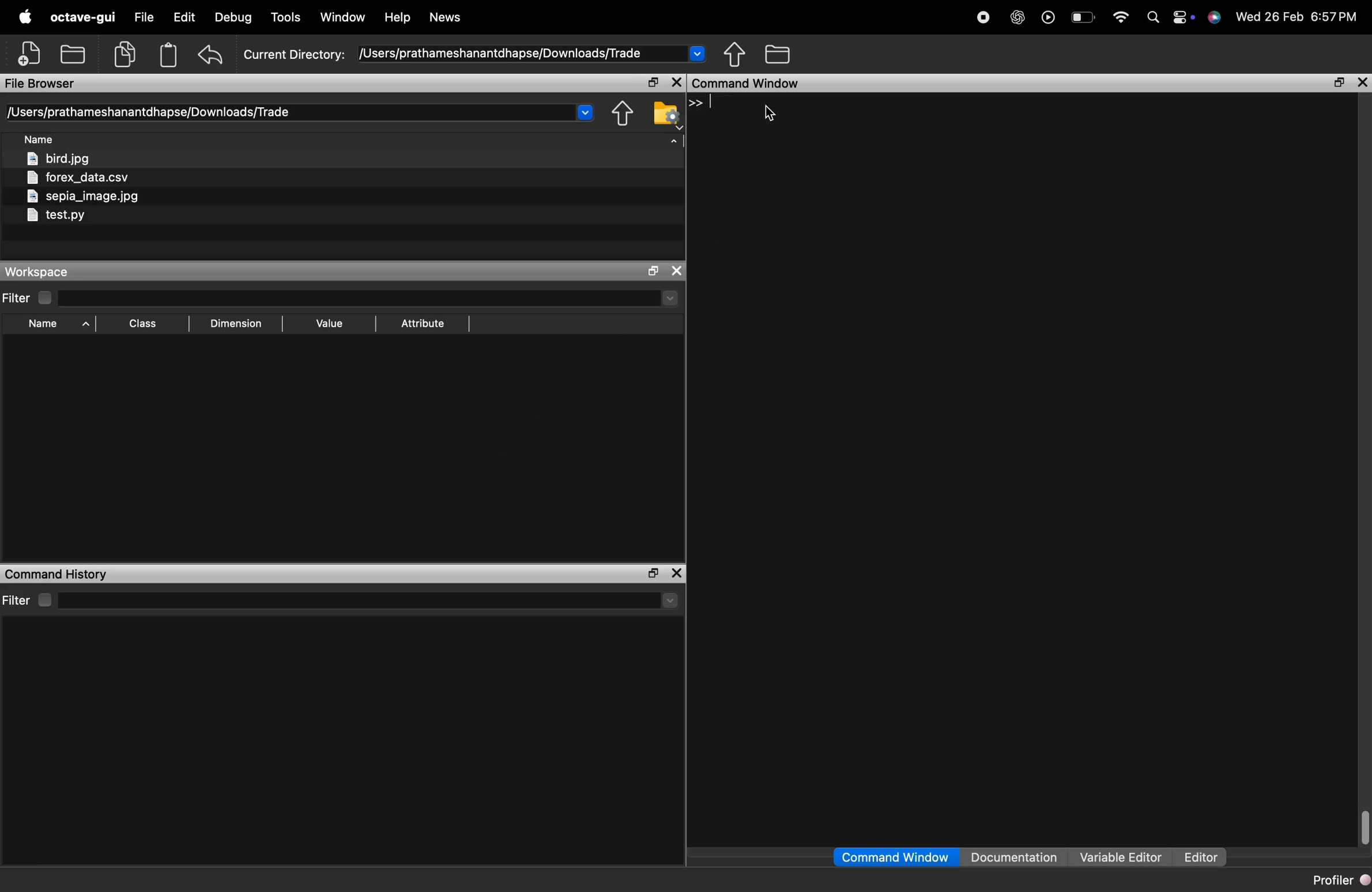  Describe the element at coordinates (767, 114) in the screenshot. I see `cursor` at that location.